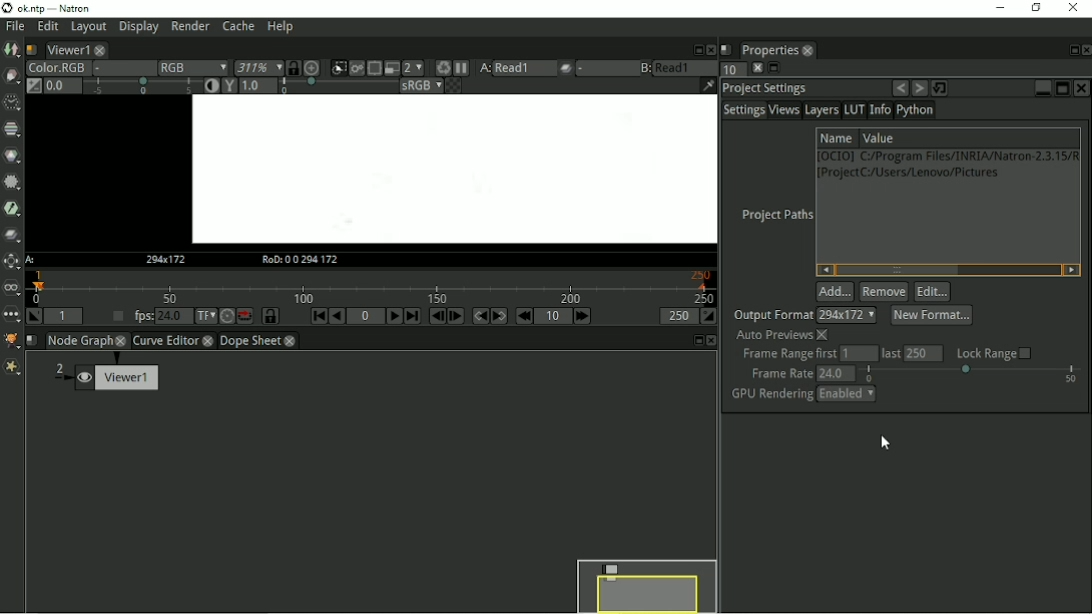  What do you see at coordinates (171, 259) in the screenshot?
I see `HD` at bounding box center [171, 259].